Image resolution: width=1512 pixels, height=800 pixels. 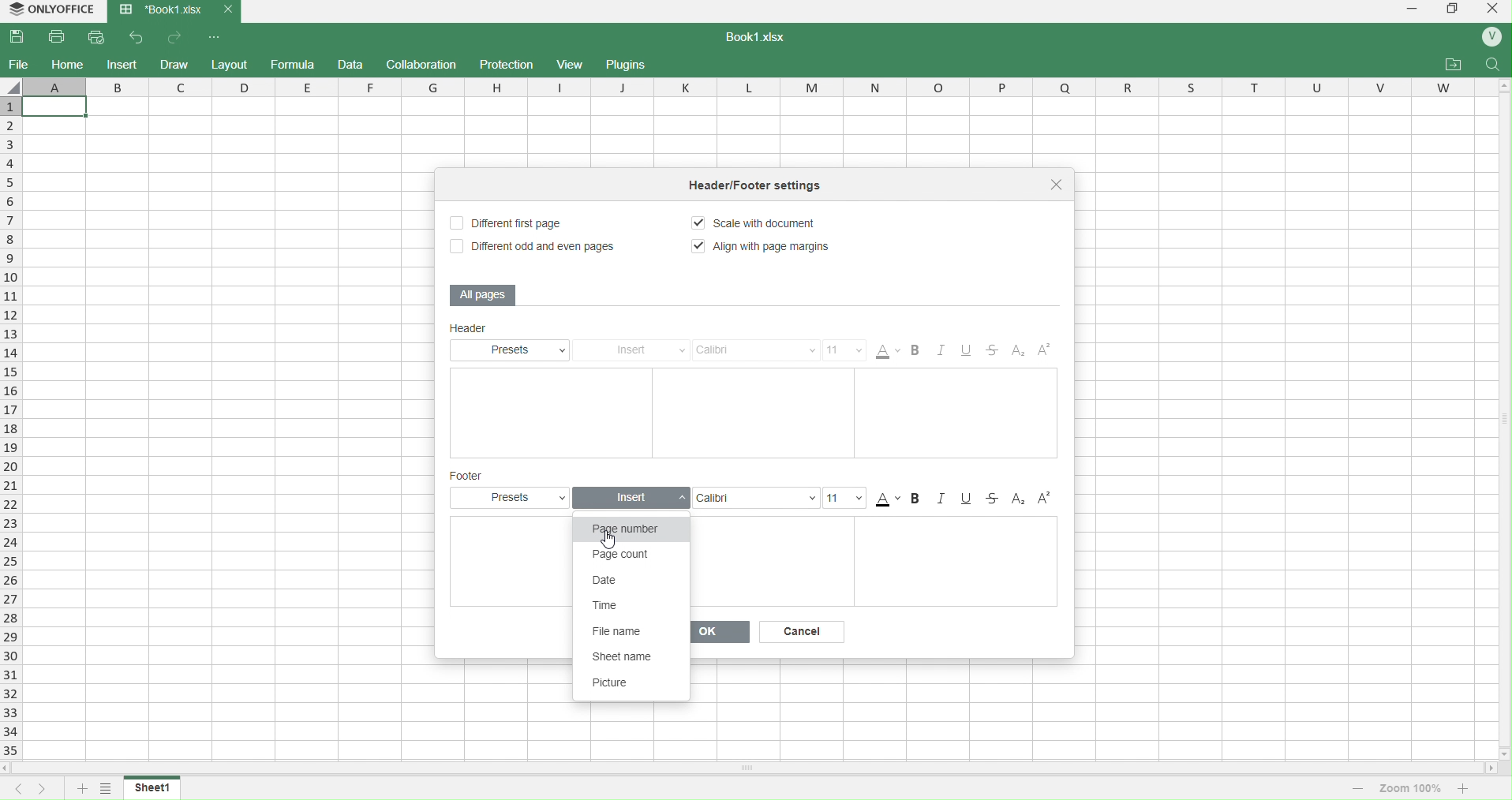 I want to click on Font, so click(x=754, y=497).